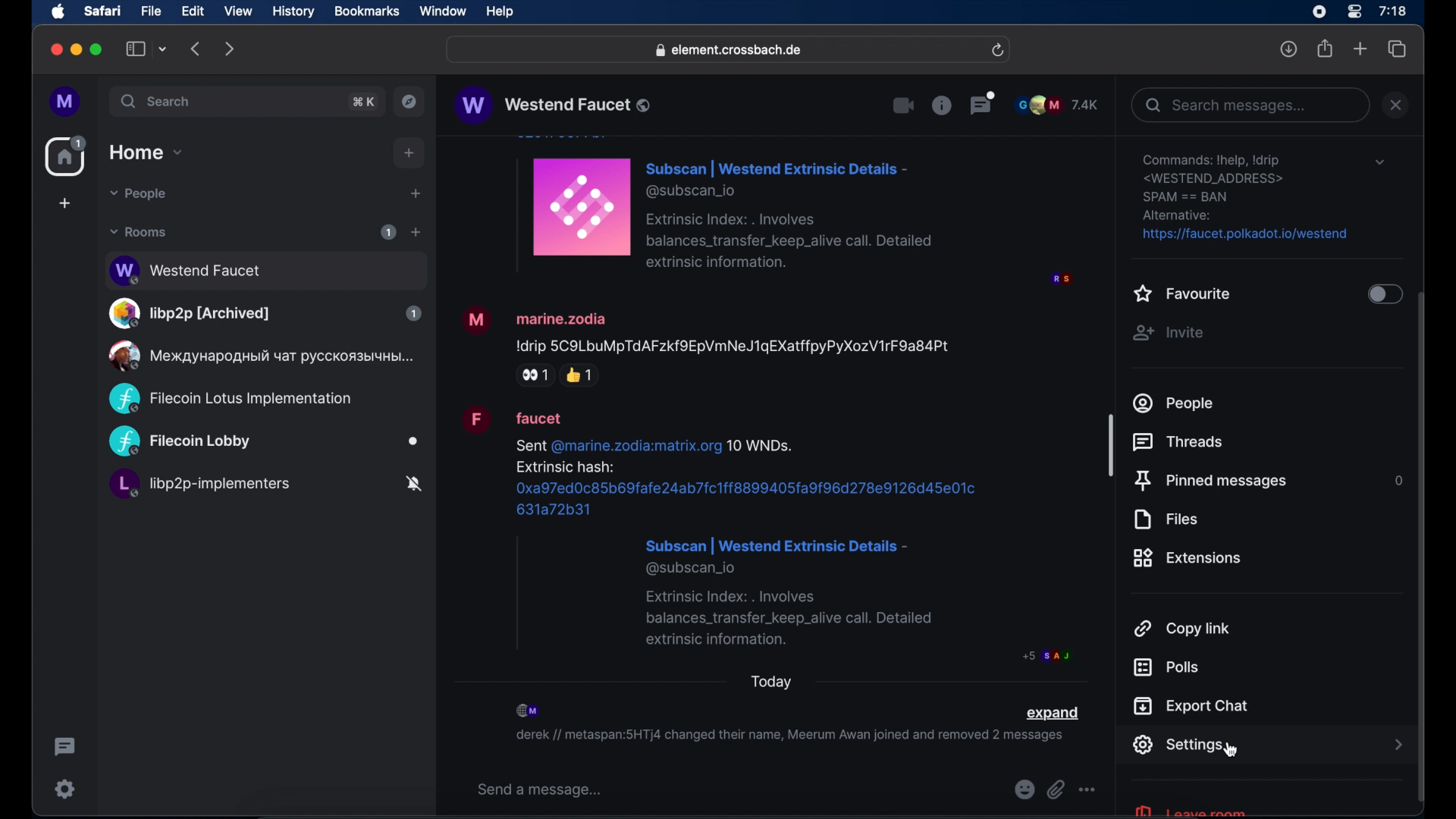 The width and height of the screenshot is (1456, 819). I want to click on scroll bar, so click(1422, 549).